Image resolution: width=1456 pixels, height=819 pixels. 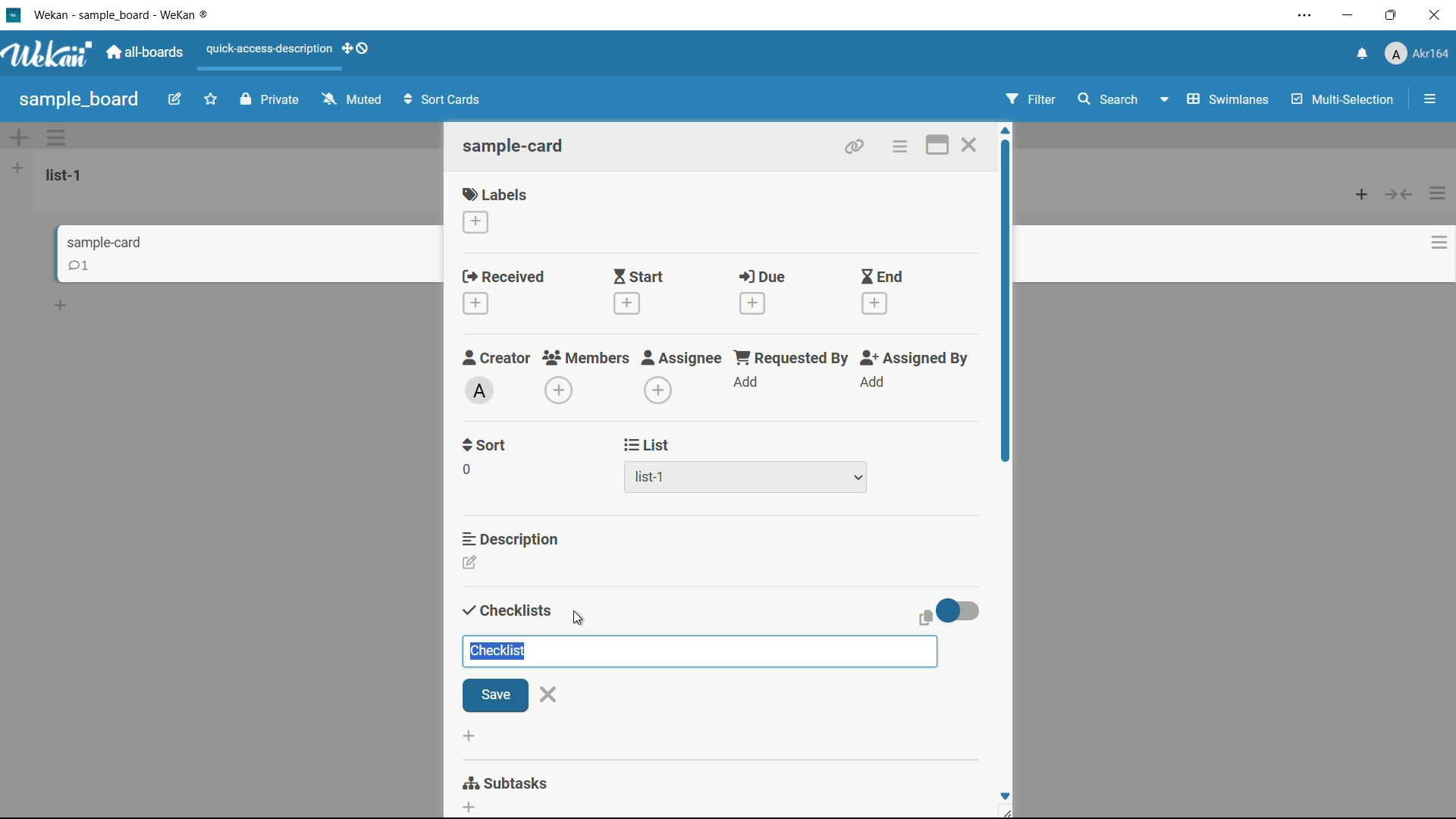 I want to click on close card, so click(x=971, y=145).